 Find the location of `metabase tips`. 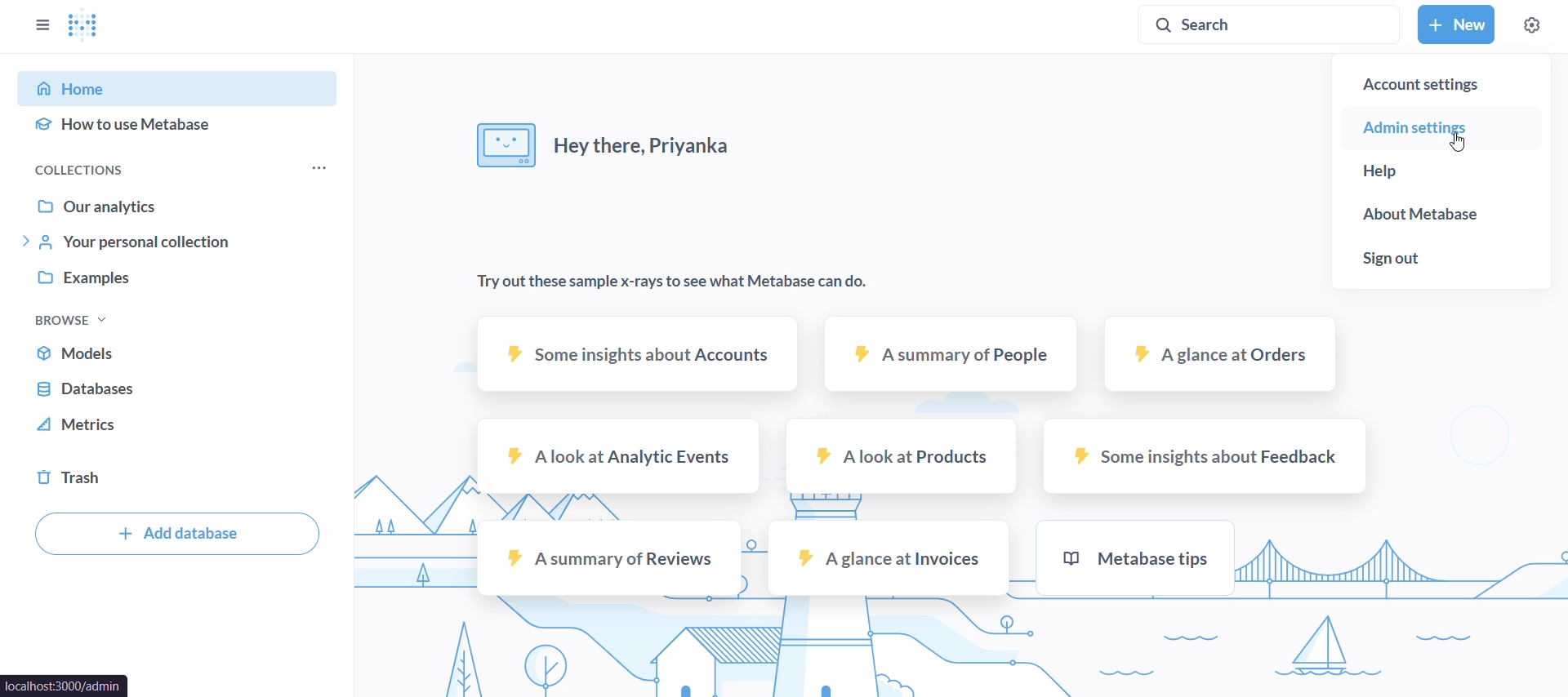

metabase tips is located at coordinates (1135, 557).